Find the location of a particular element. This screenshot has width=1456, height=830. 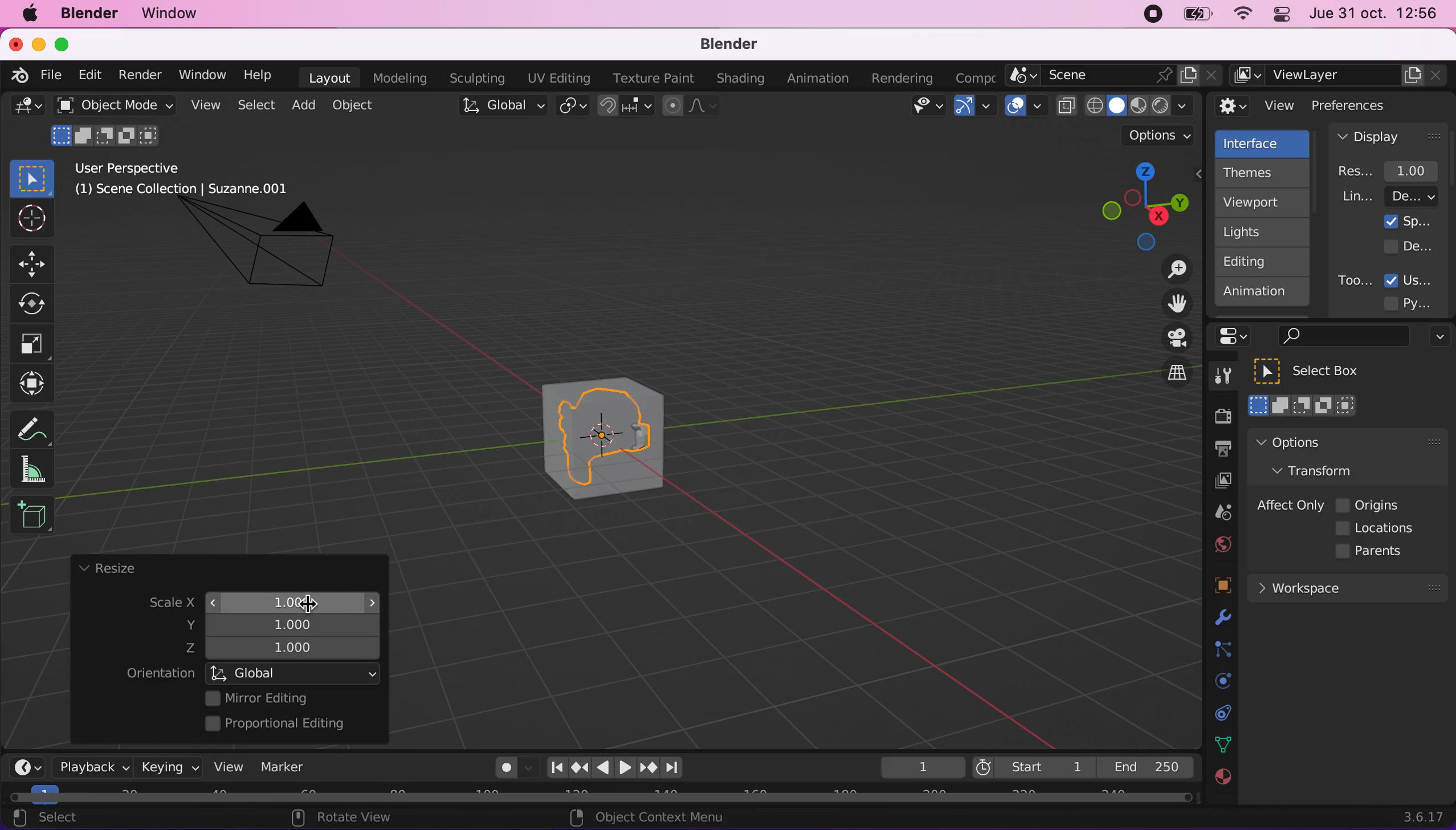

panel control is located at coordinates (1237, 336).